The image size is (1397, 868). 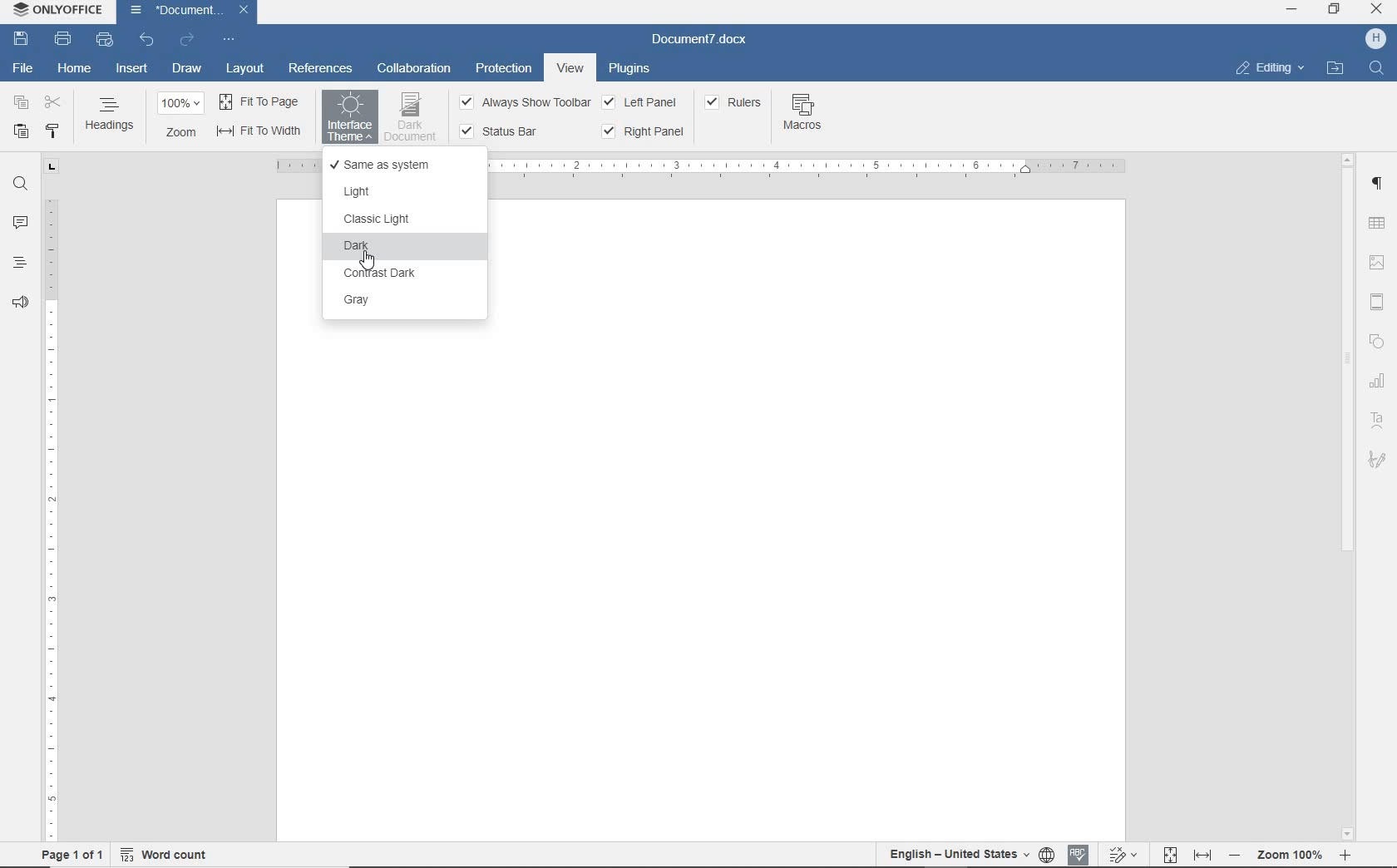 I want to click on LAYOUT, so click(x=246, y=70).